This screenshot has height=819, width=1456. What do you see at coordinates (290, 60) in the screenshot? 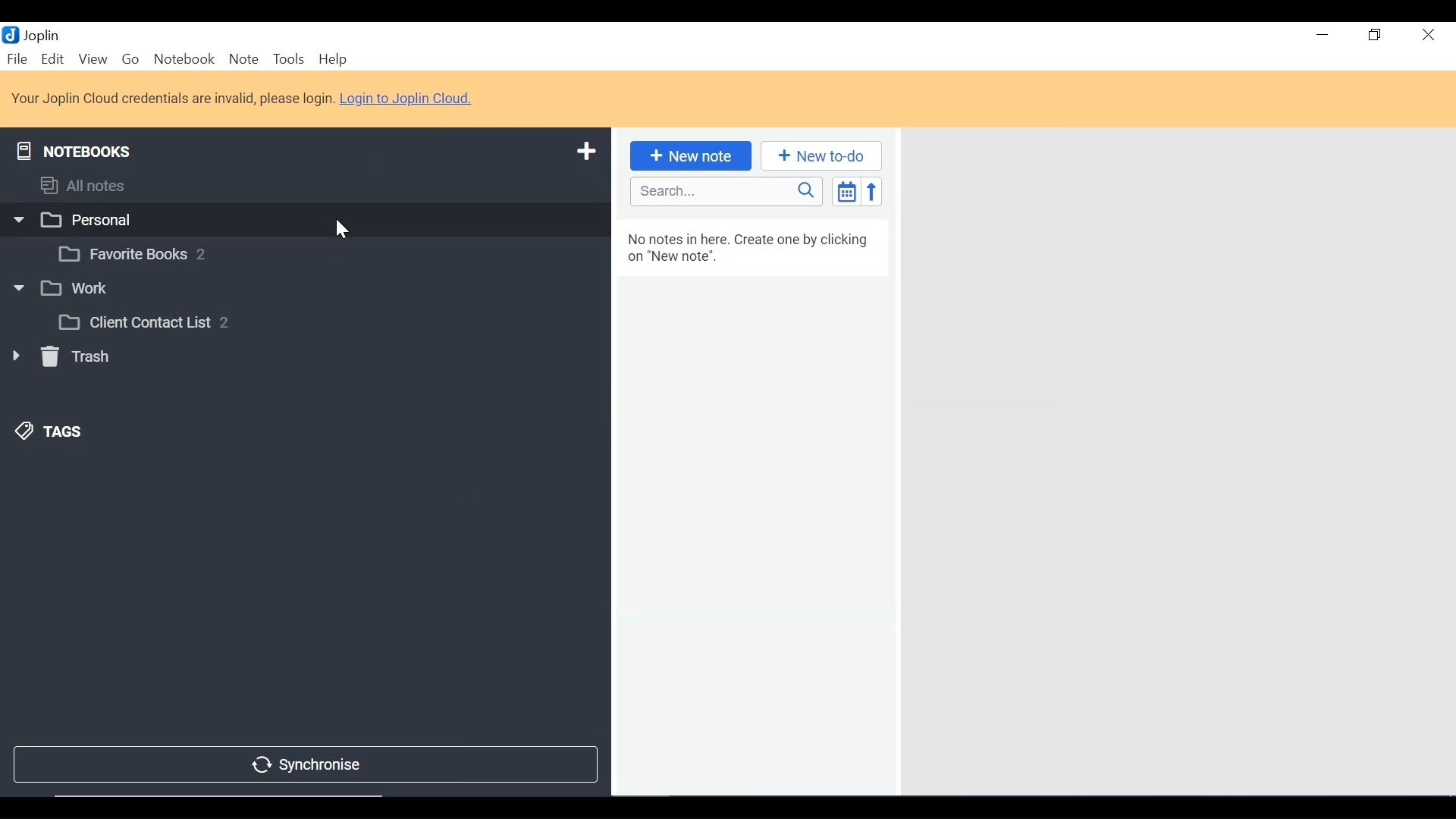
I see `Tools` at bounding box center [290, 60].